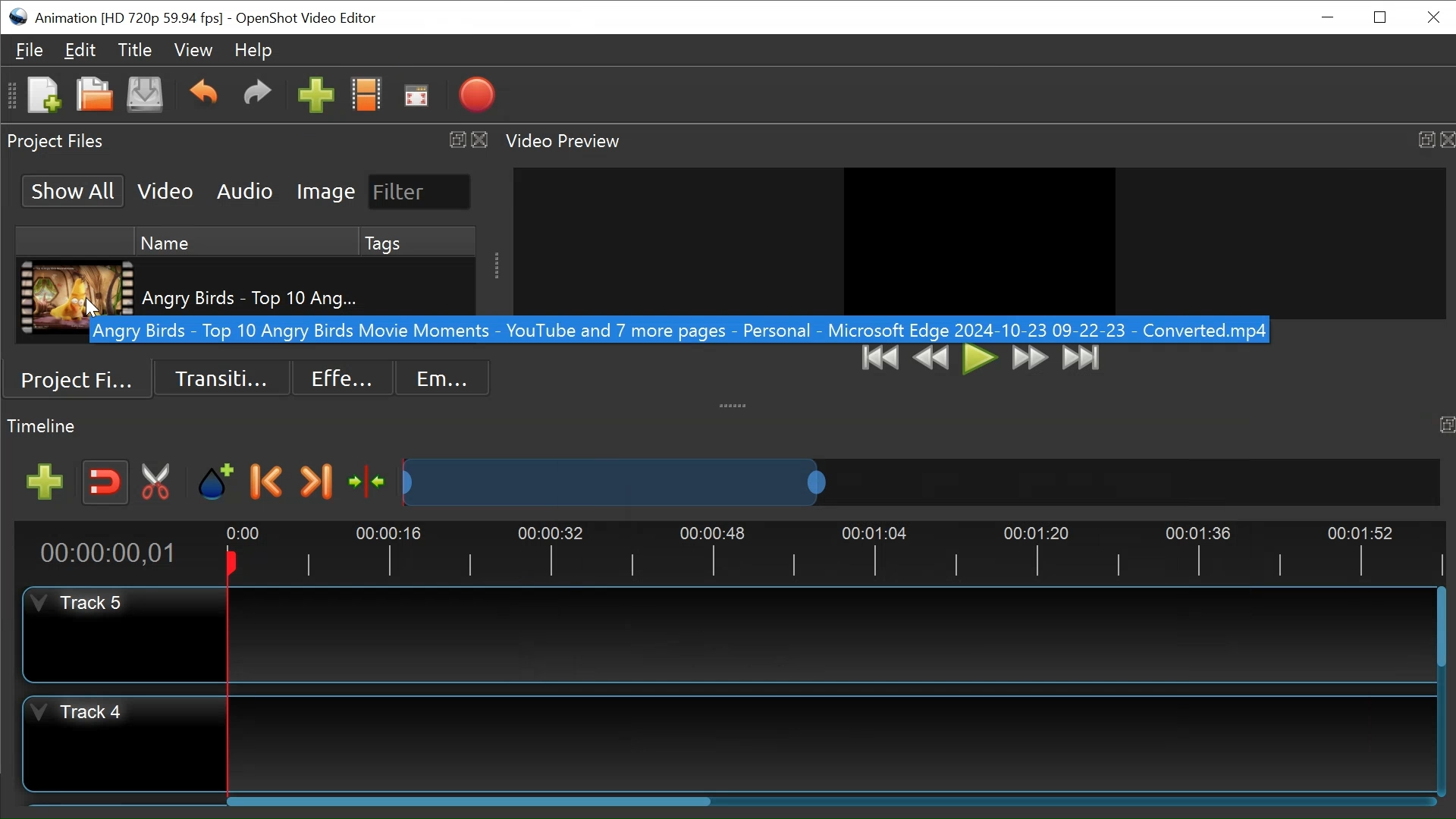  Describe the element at coordinates (1443, 426) in the screenshot. I see `Maximize` at that location.